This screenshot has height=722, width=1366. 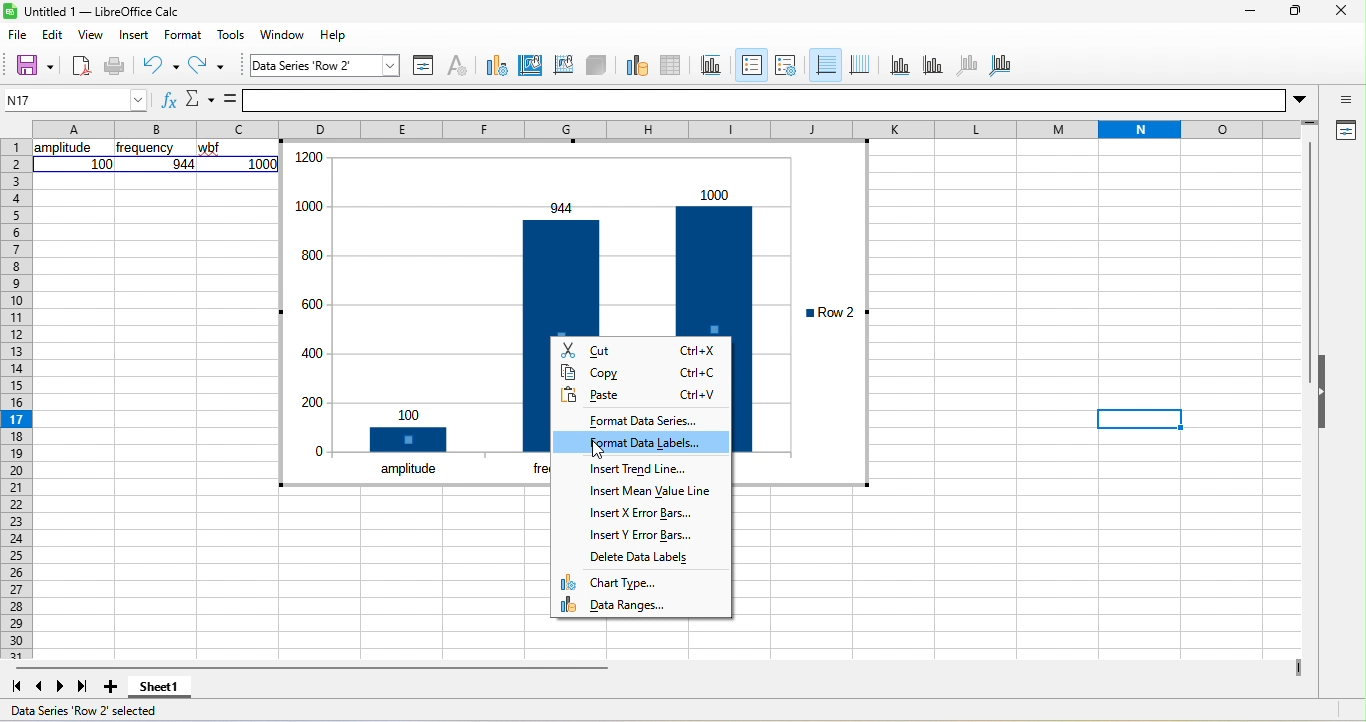 I want to click on formula bar, so click(x=782, y=99).